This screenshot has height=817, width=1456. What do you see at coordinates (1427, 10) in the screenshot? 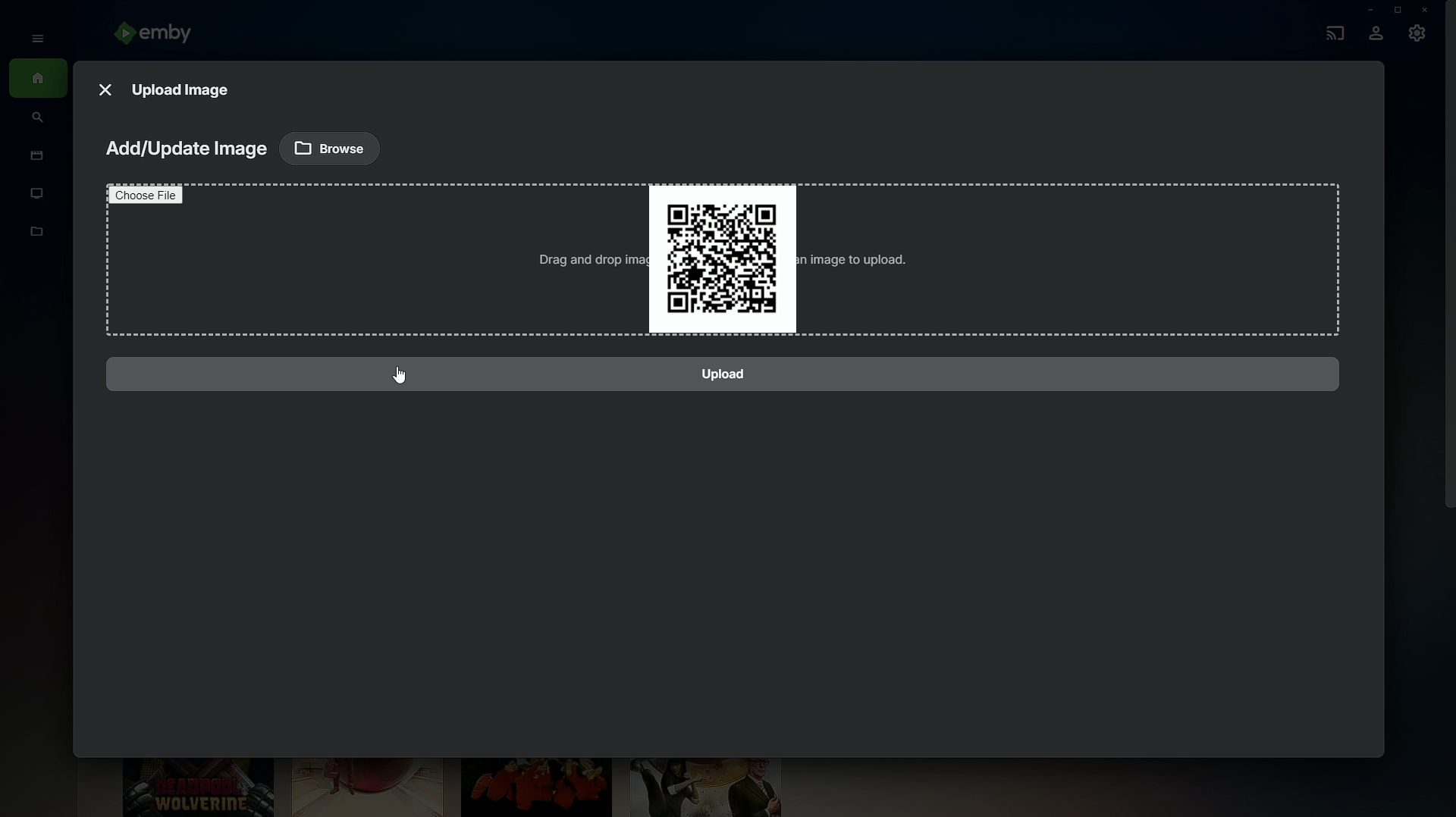
I see `Close` at bounding box center [1427, 10].